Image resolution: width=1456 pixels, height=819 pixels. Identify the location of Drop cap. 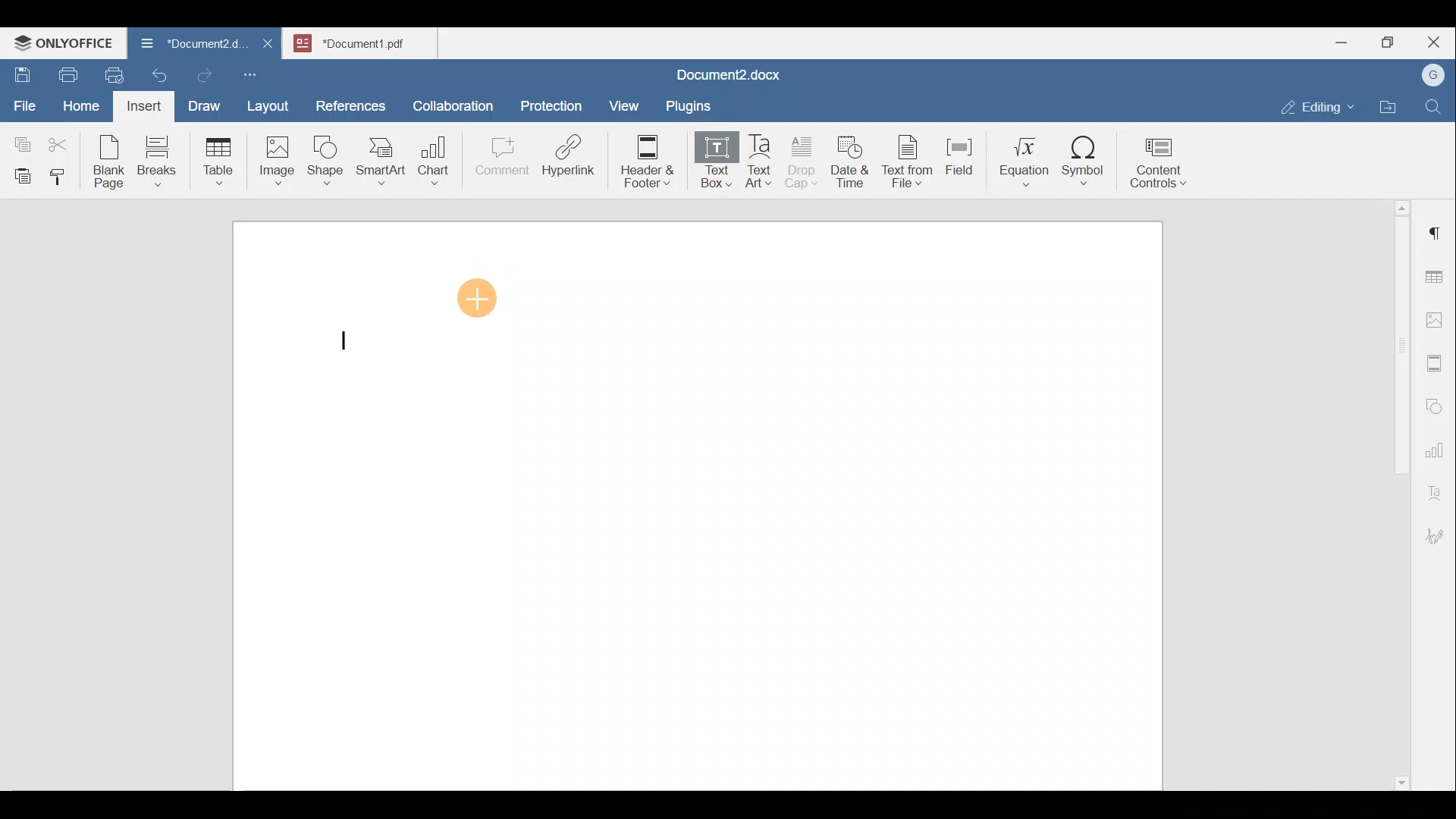
(805, 160).